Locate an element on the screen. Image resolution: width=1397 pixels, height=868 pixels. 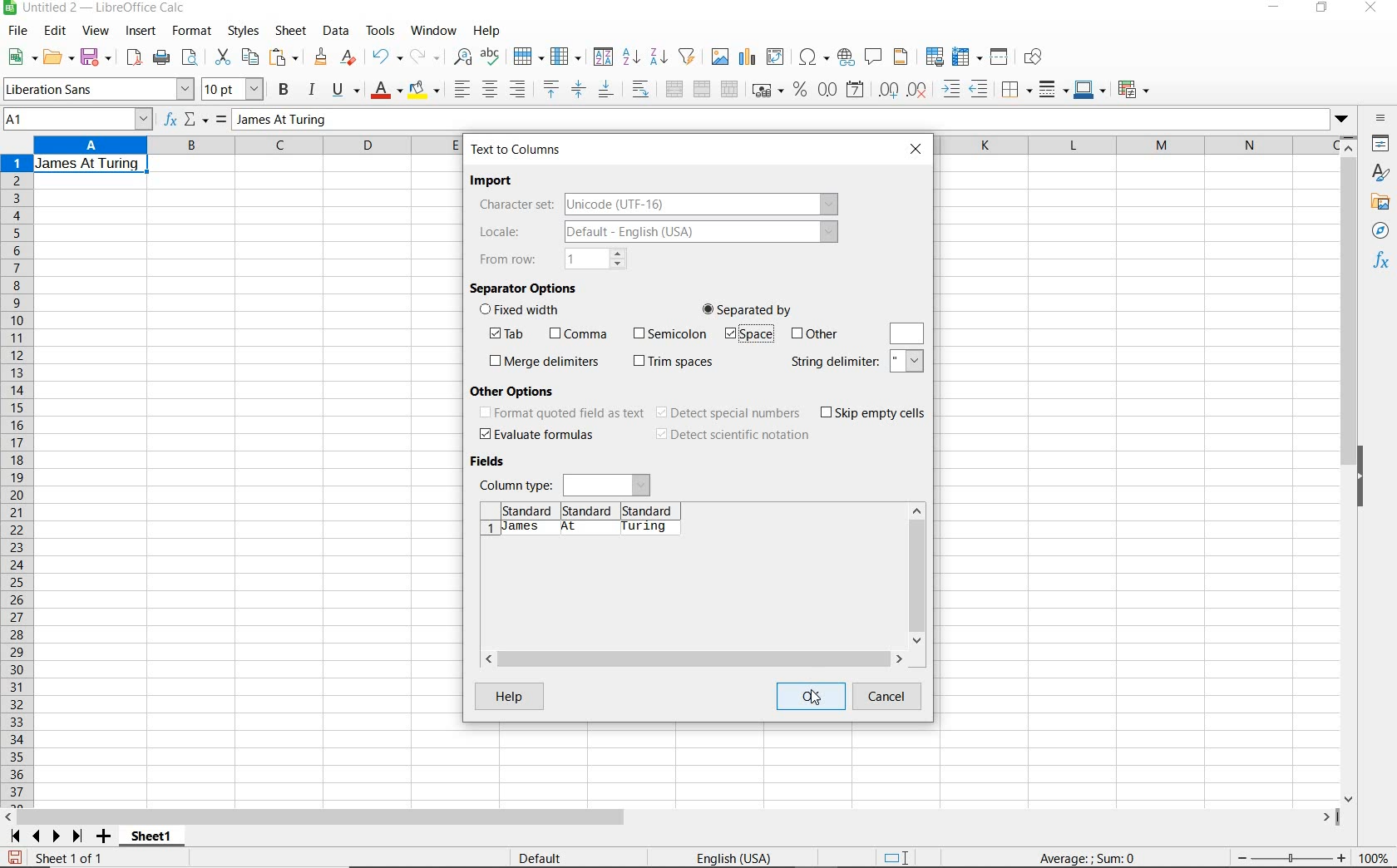
scroll sheets is located at coordinates (43, 836).